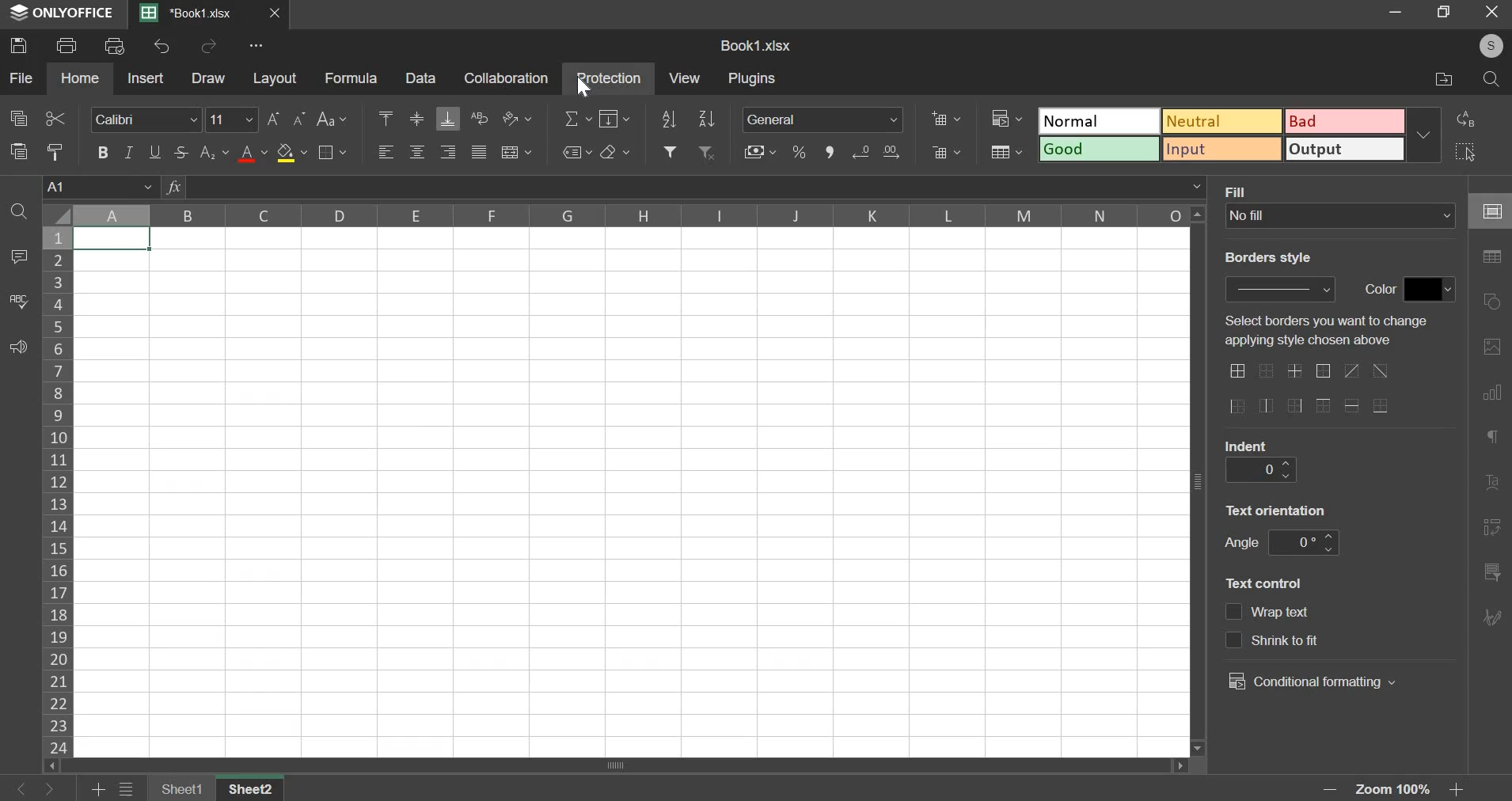  What do you see at coordinates (945, 153) in the screenshot?
I see `delete cells` at bounding box center [945, 153].